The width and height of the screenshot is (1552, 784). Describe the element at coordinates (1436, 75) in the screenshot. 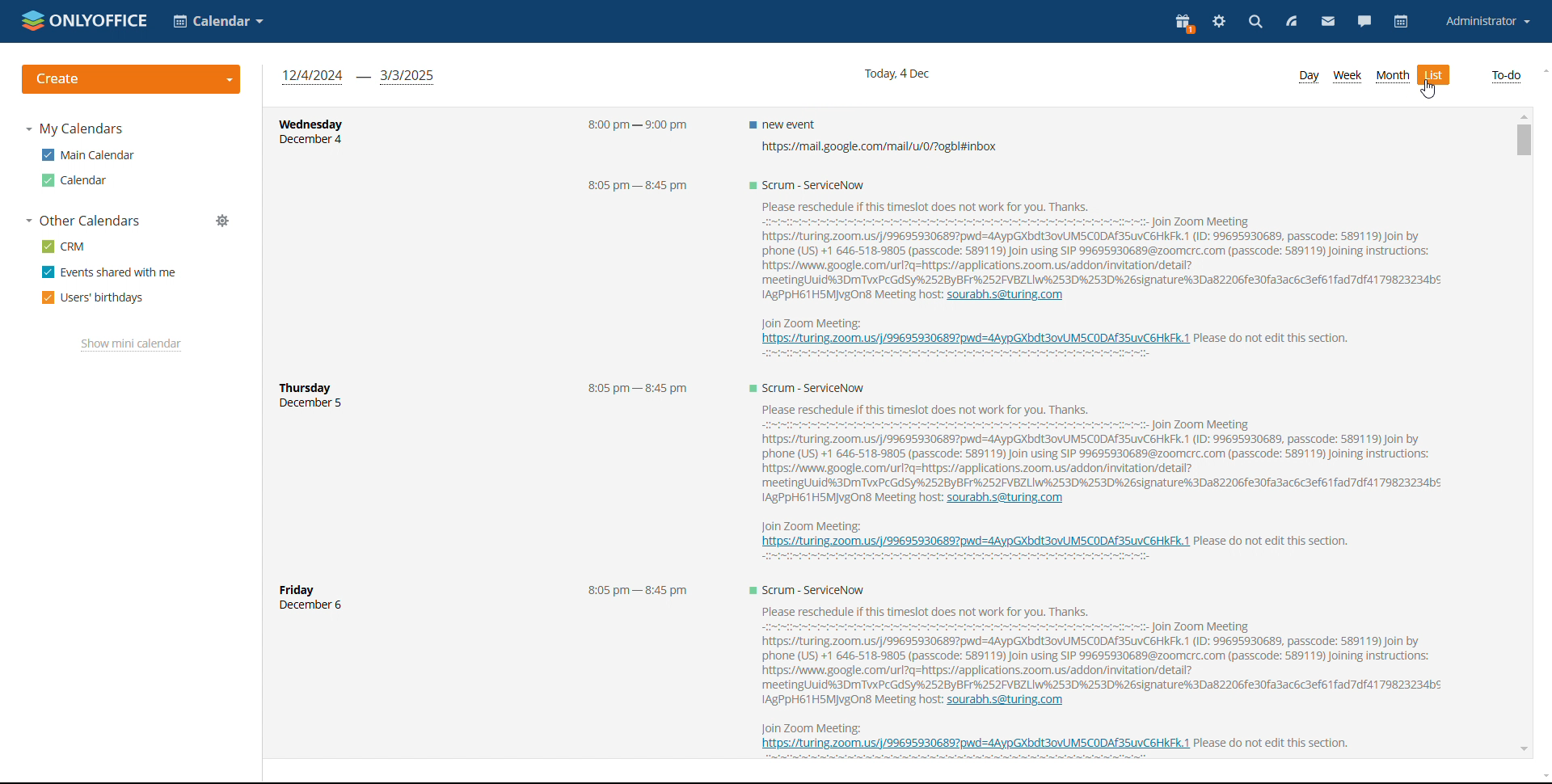

I see `list view` at that location.